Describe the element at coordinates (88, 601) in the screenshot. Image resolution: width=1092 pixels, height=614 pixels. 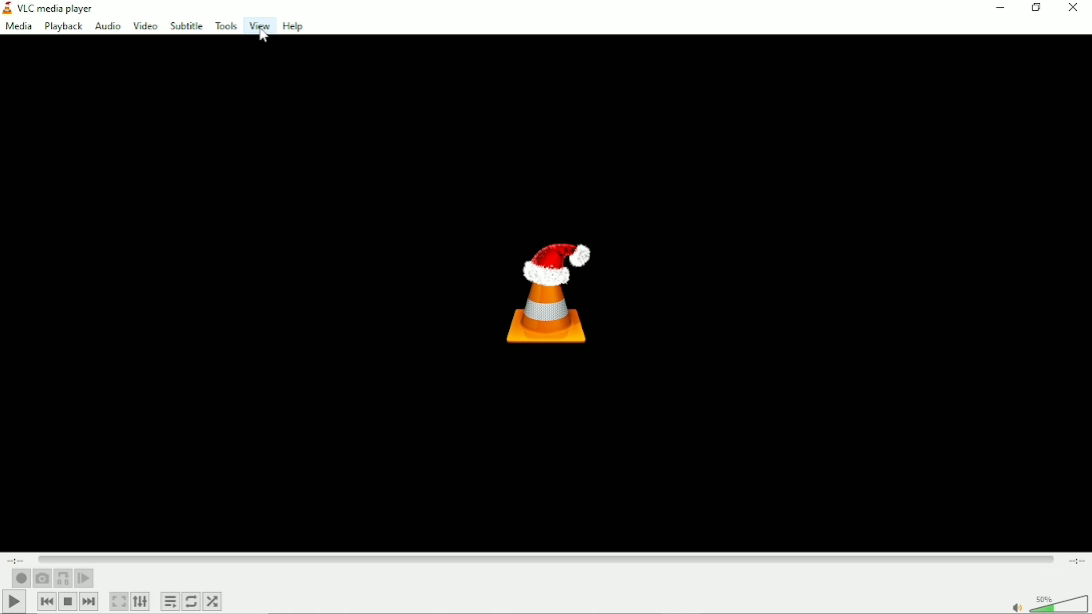
I see `Next` at that location.